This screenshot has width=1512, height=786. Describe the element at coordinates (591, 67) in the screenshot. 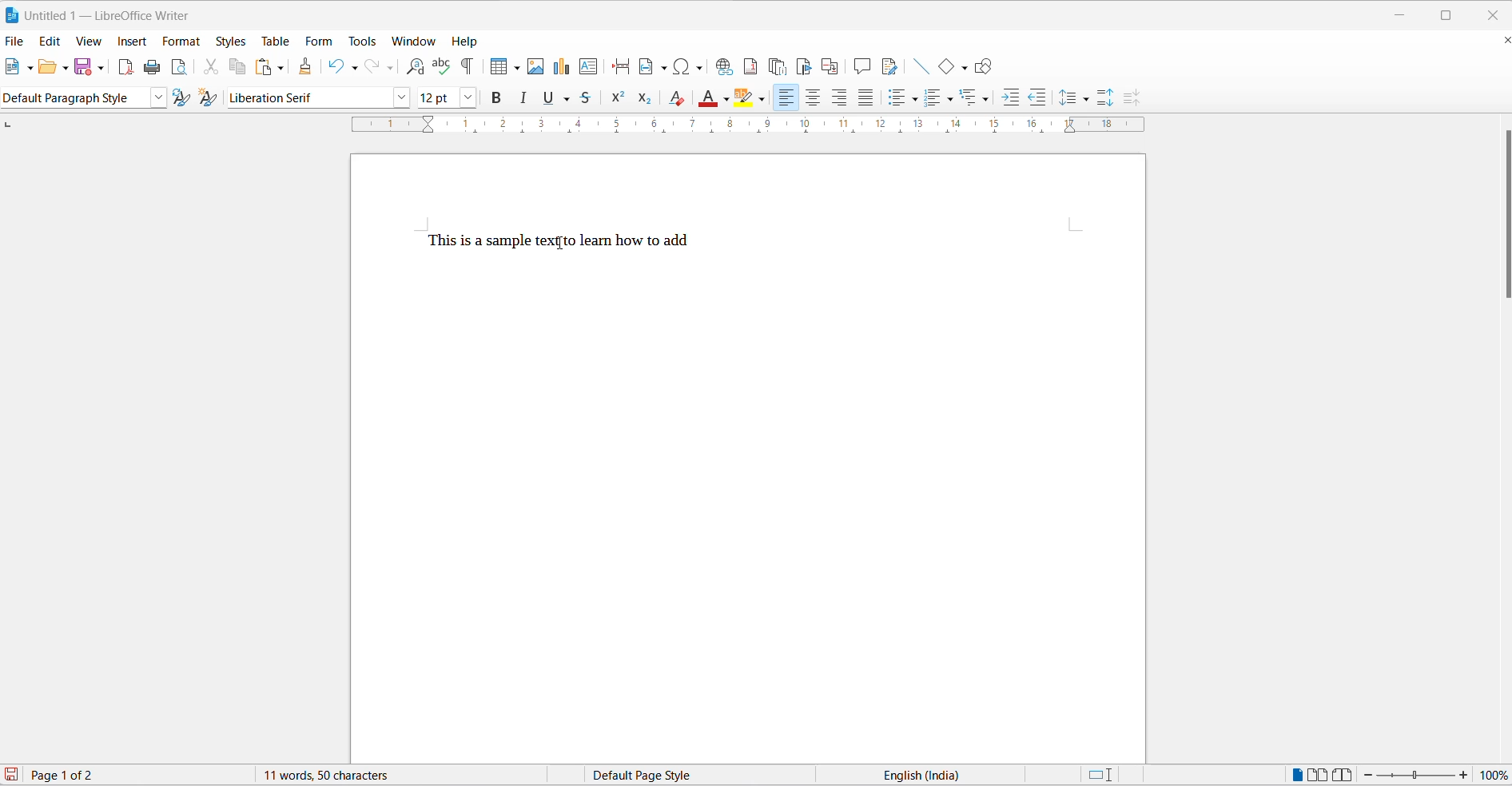

I see `add text` at that location.